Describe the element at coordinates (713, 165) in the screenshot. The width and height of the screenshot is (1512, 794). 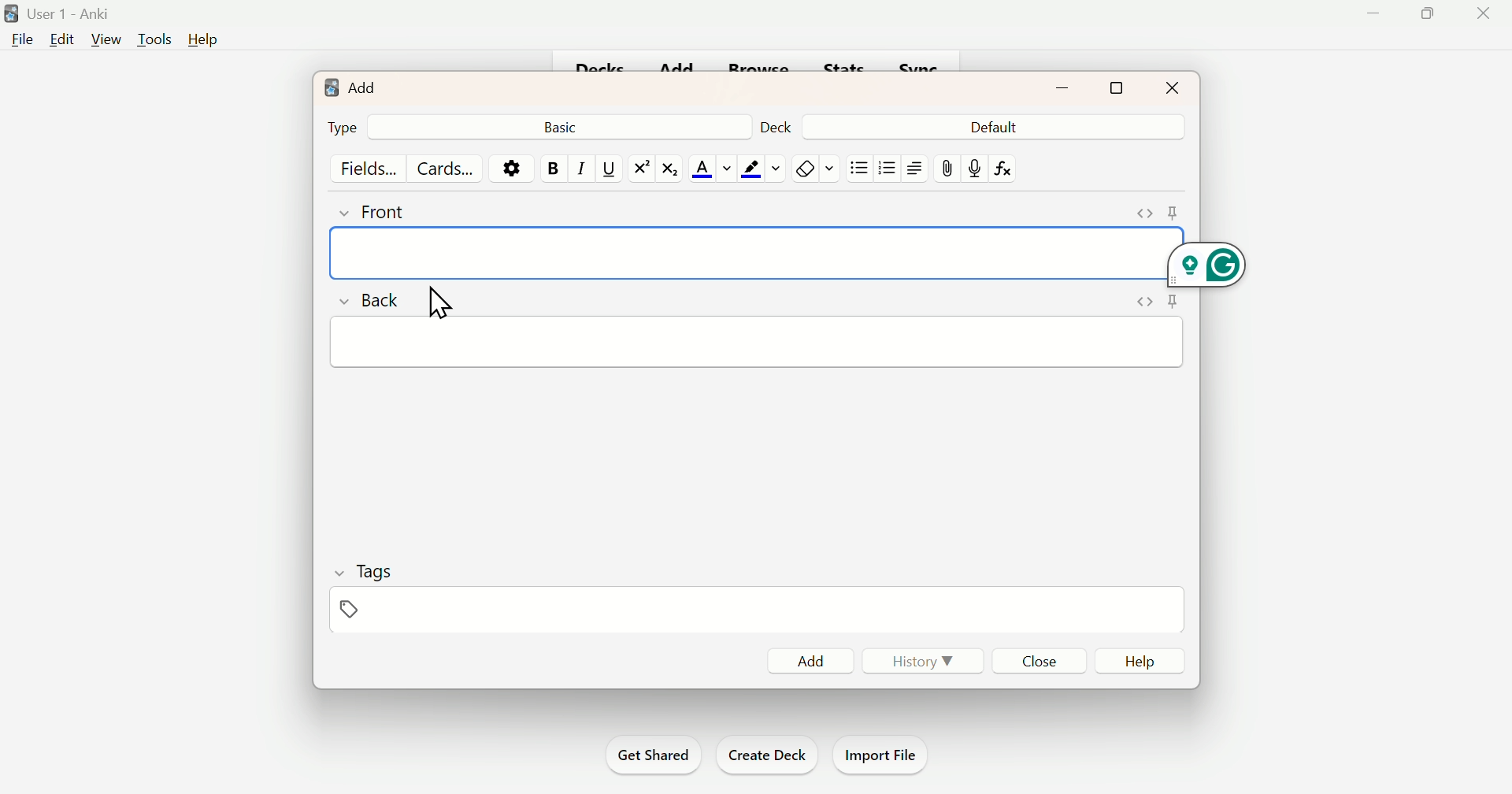
I see `Text Color` at that location.